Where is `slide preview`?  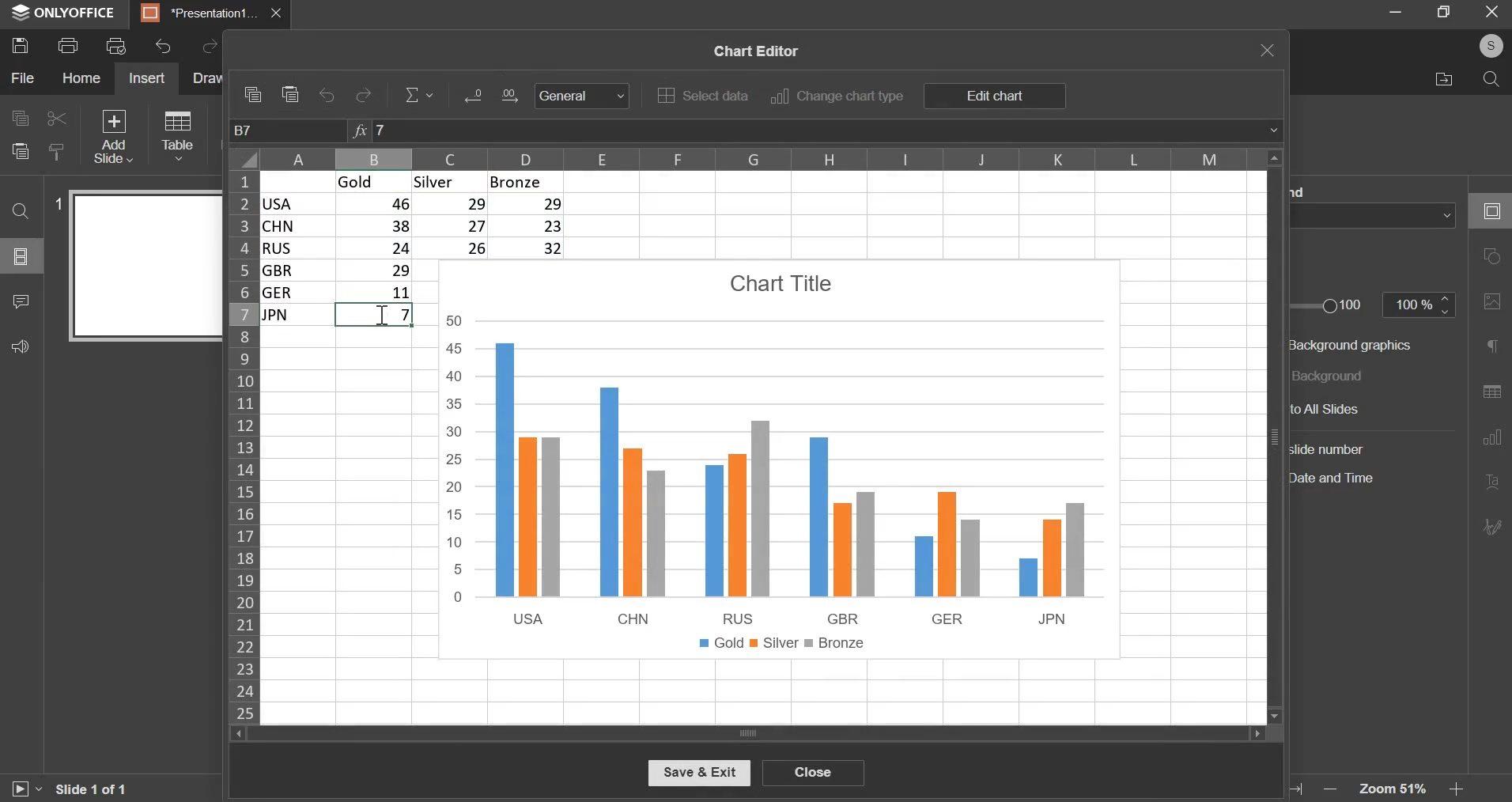
slide preview is located at coordinates (146, 265).